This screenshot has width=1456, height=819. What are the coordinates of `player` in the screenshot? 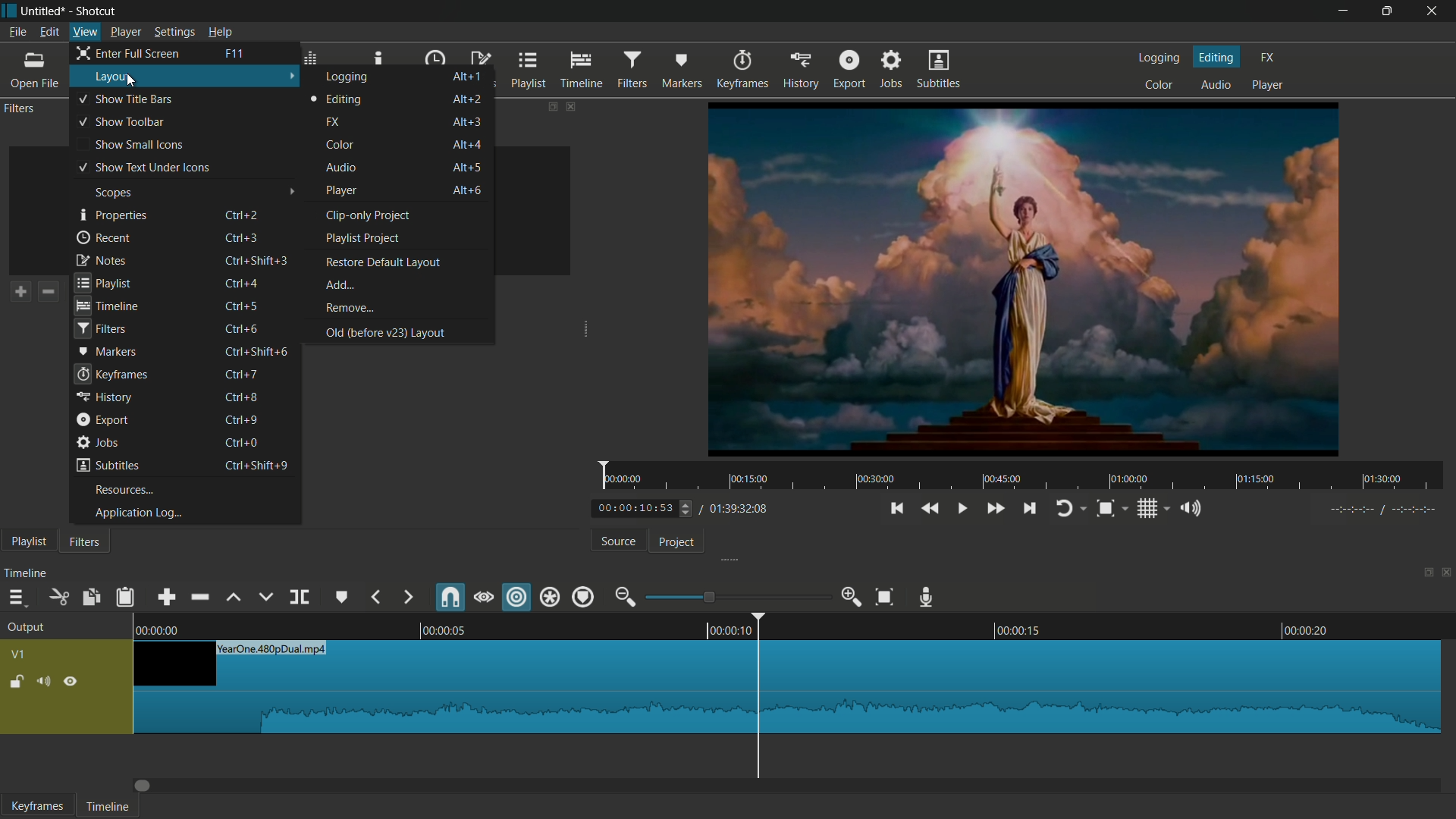 It's located at (342, 191).